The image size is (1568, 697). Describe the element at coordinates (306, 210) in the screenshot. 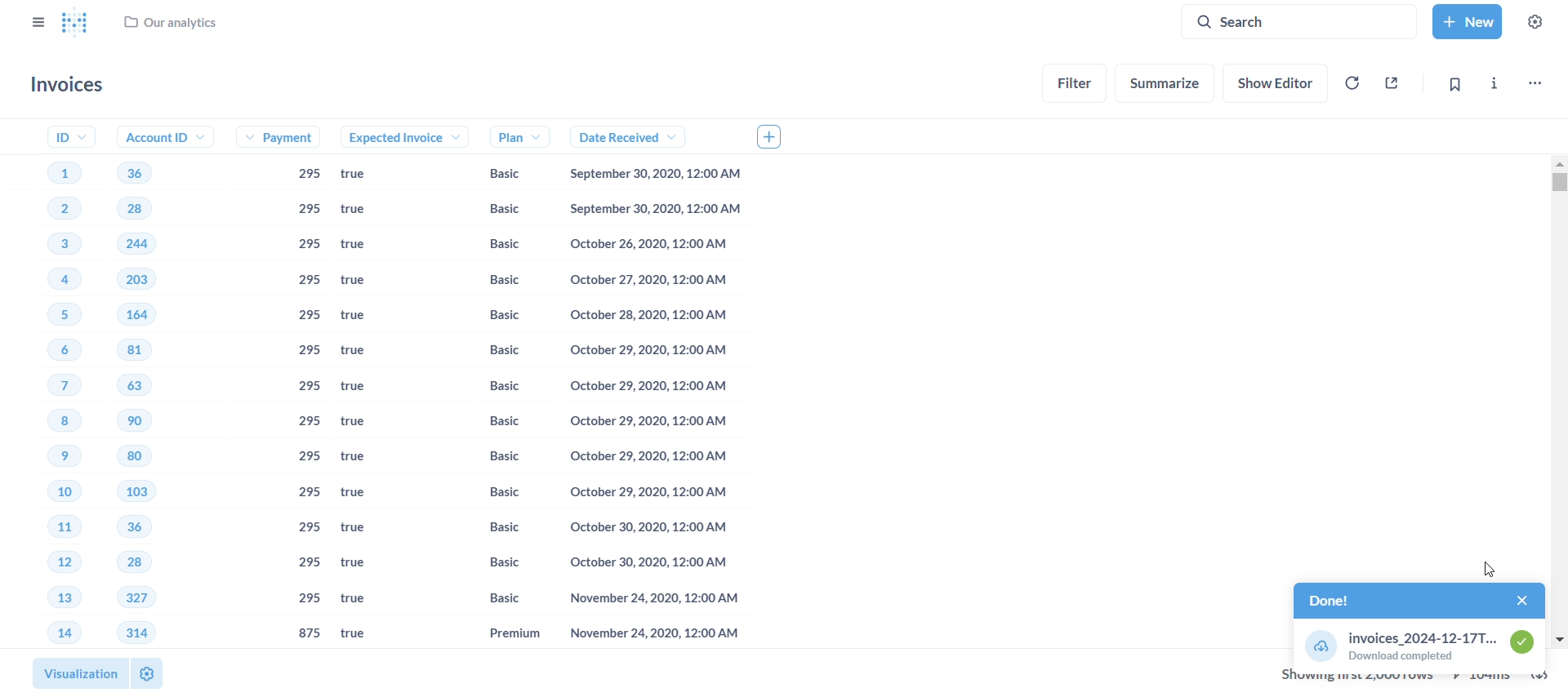

I see `295` at that location.